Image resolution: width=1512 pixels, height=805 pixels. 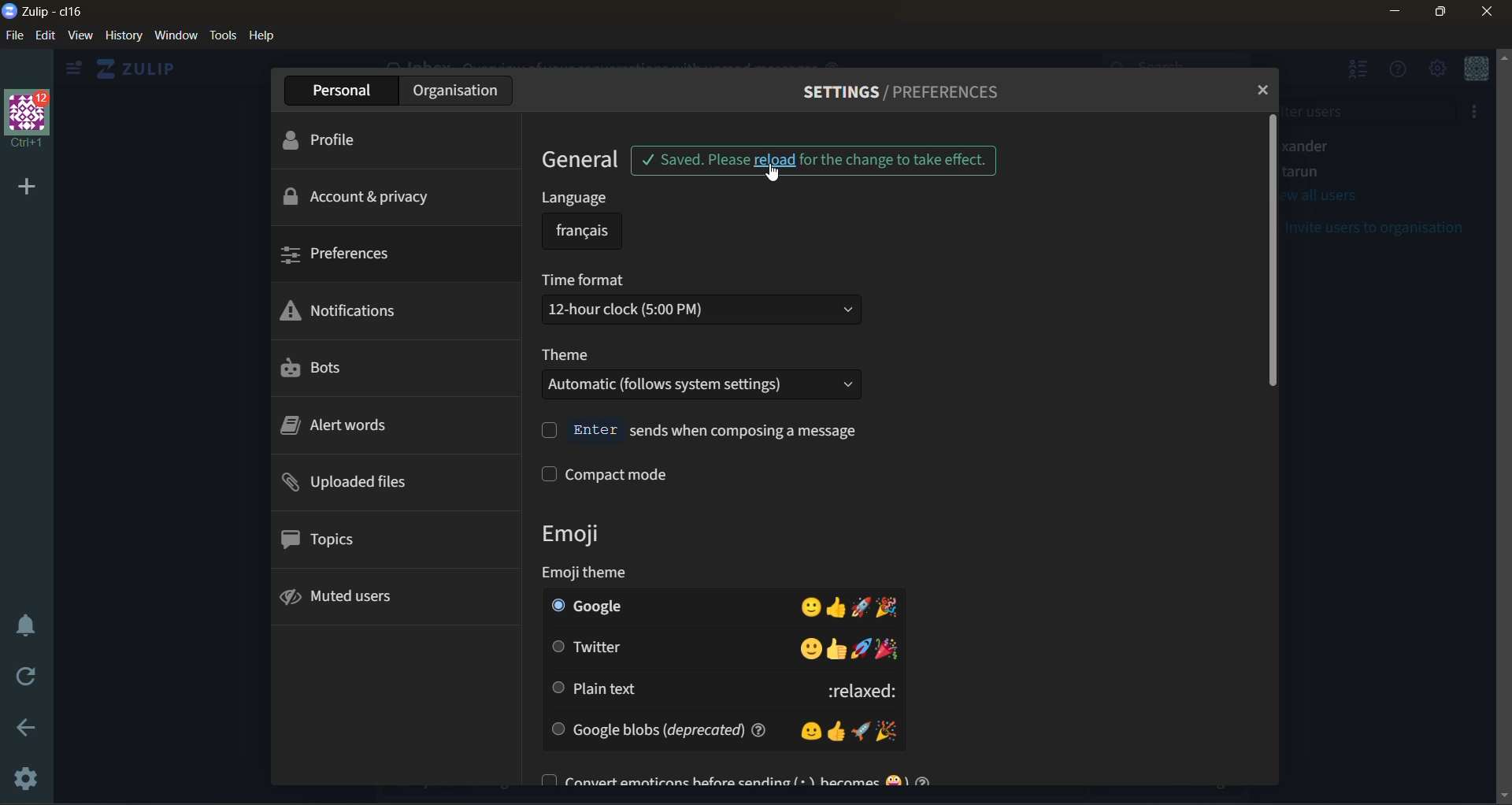 I want to click on edit, so click(x=45, y=36).